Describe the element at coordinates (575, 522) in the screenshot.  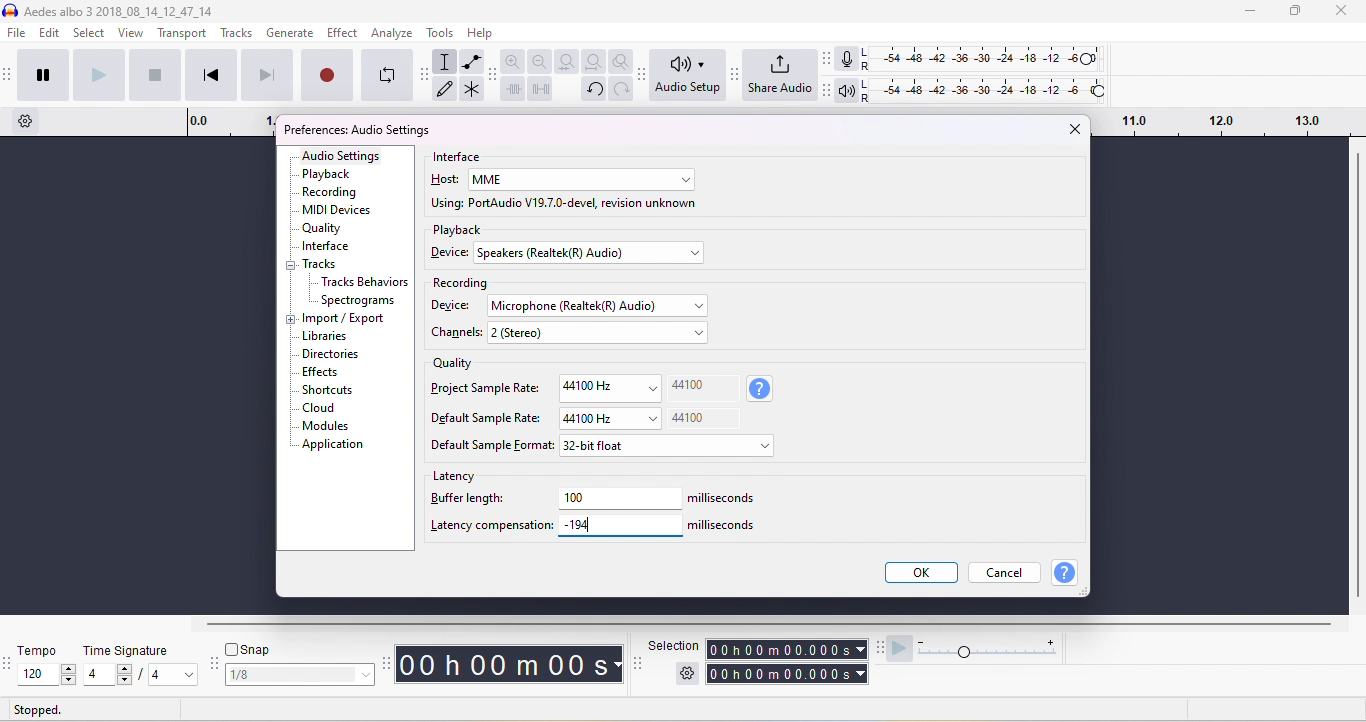
I see `-194` at that location.